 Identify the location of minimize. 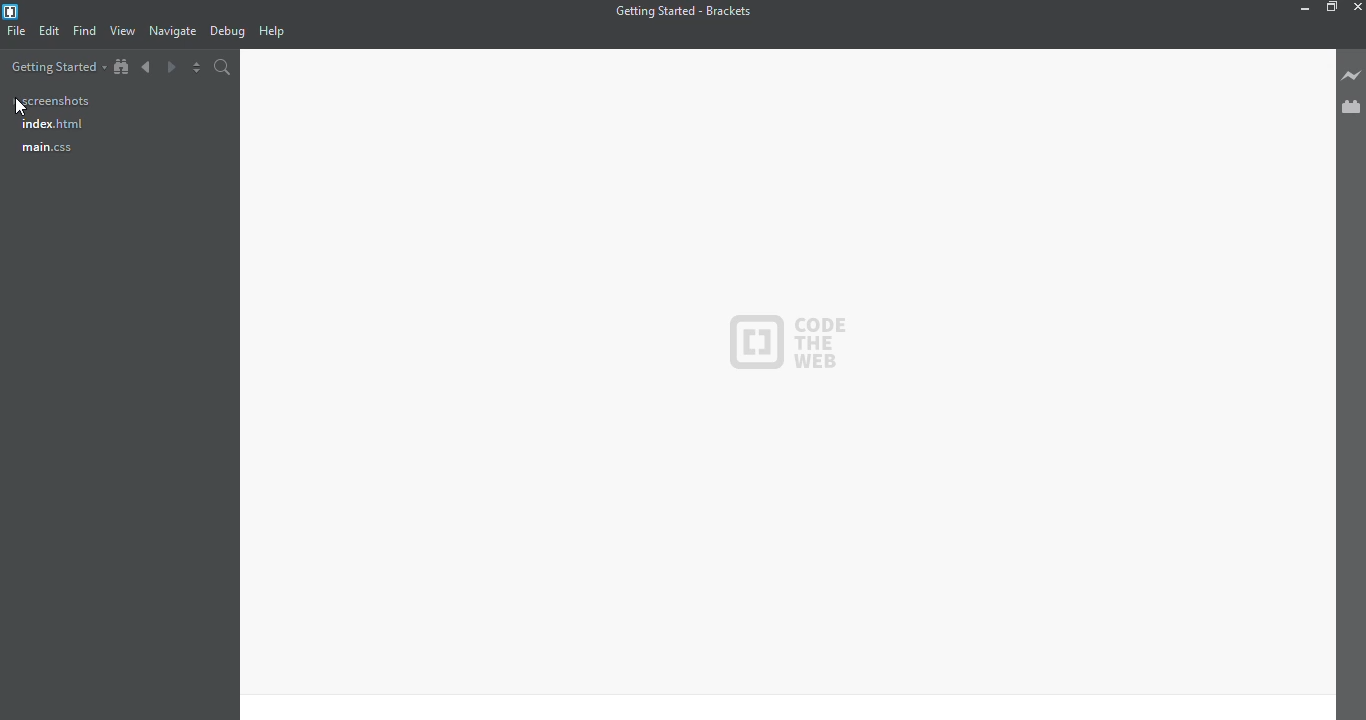
(1302, 9).